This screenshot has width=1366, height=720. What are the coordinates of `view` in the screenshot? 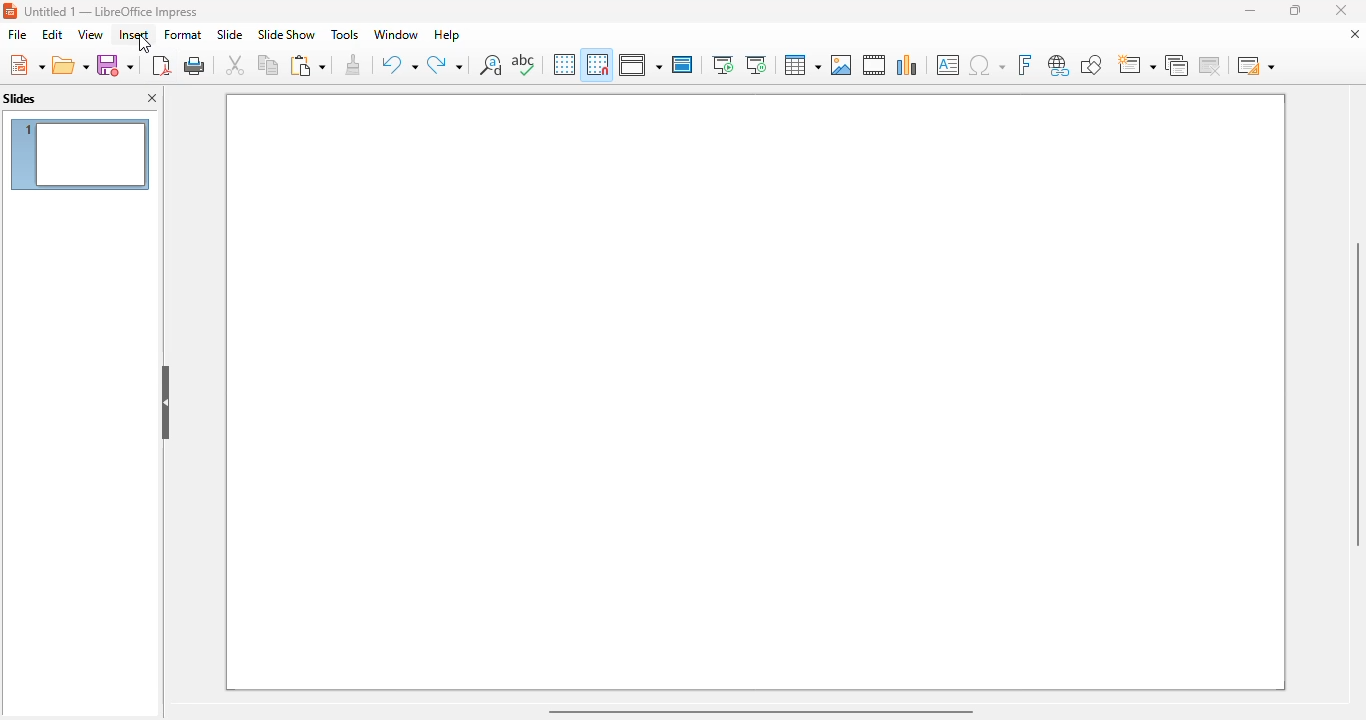 It's located at (90, 34).